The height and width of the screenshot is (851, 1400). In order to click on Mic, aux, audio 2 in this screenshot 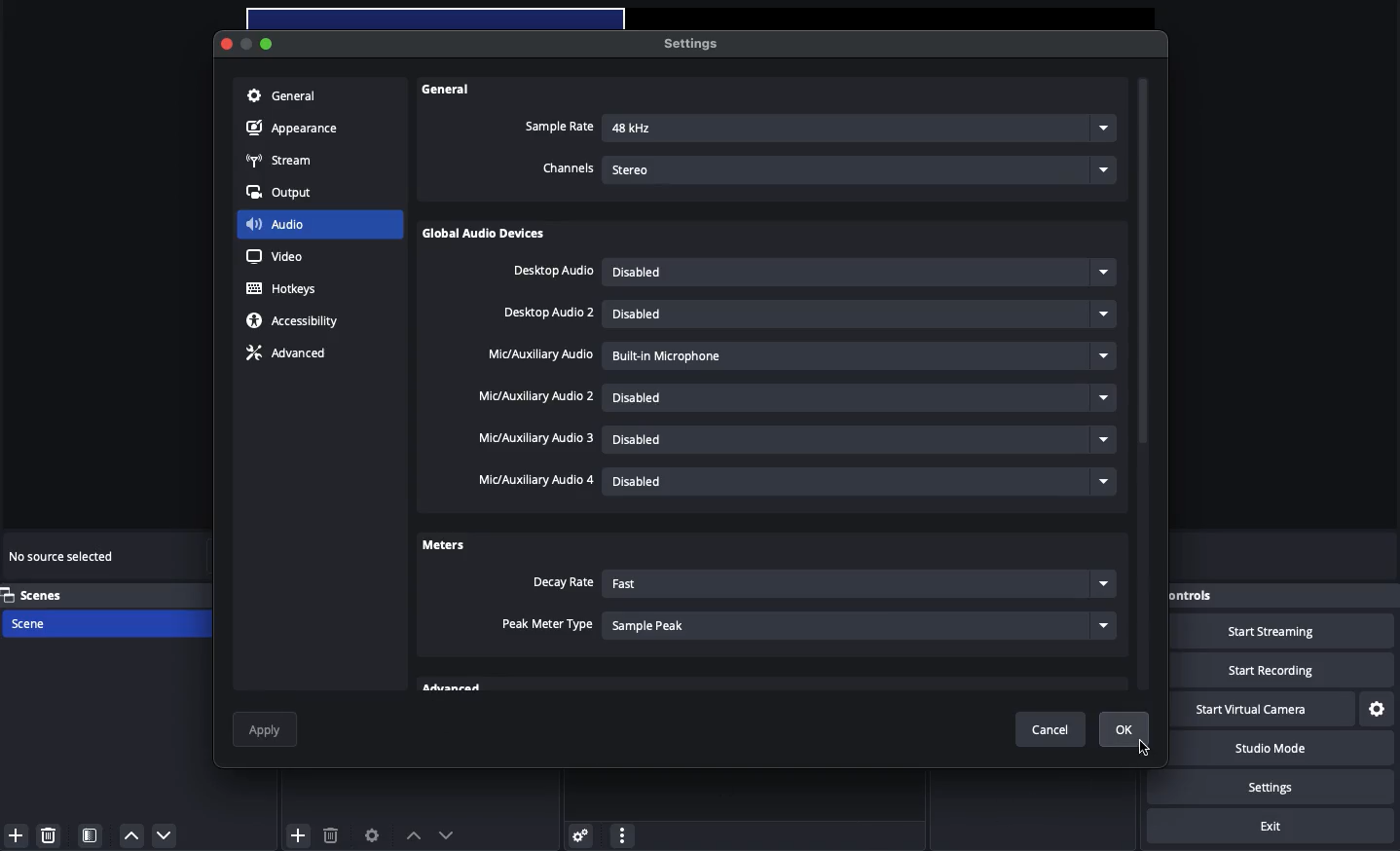, I will do `click(535, 396)`.